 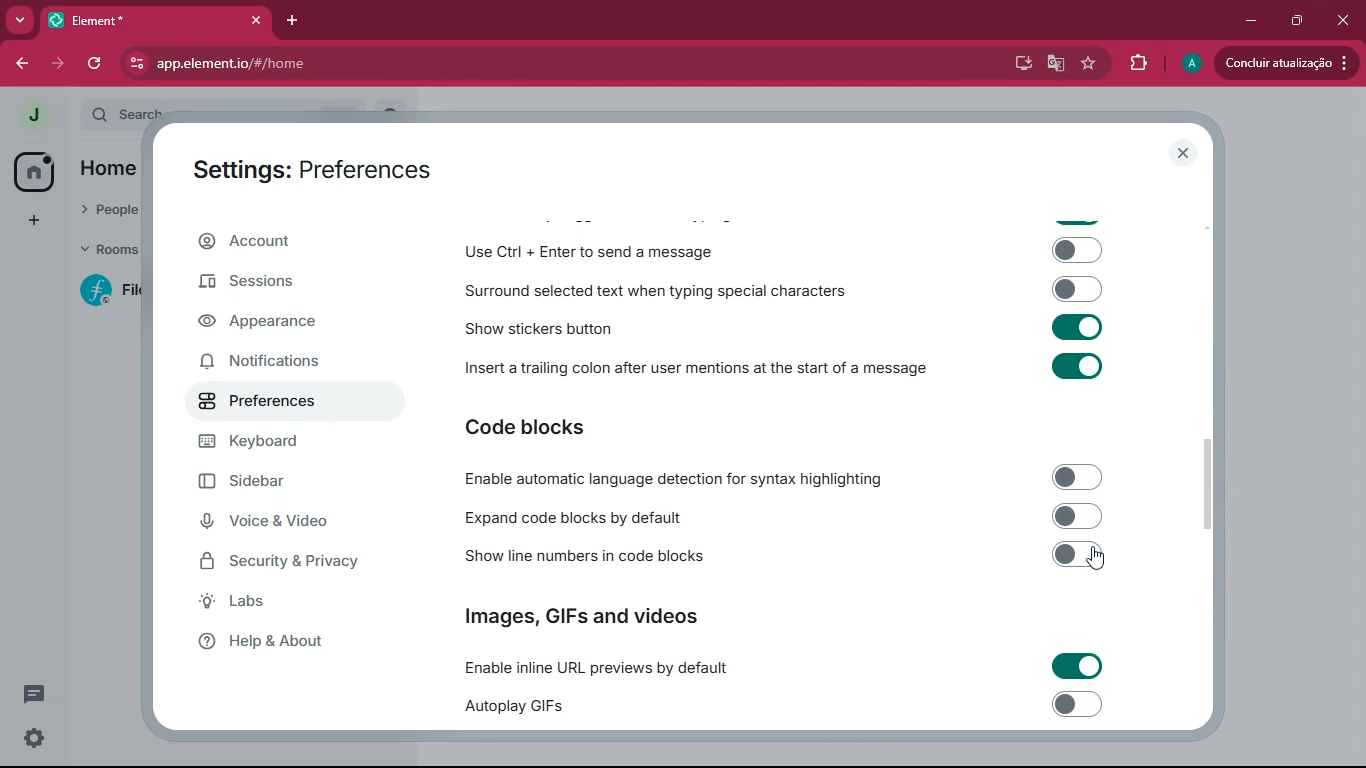 I want to click on Images, GIFs and videos, so click(x=585, y=614).